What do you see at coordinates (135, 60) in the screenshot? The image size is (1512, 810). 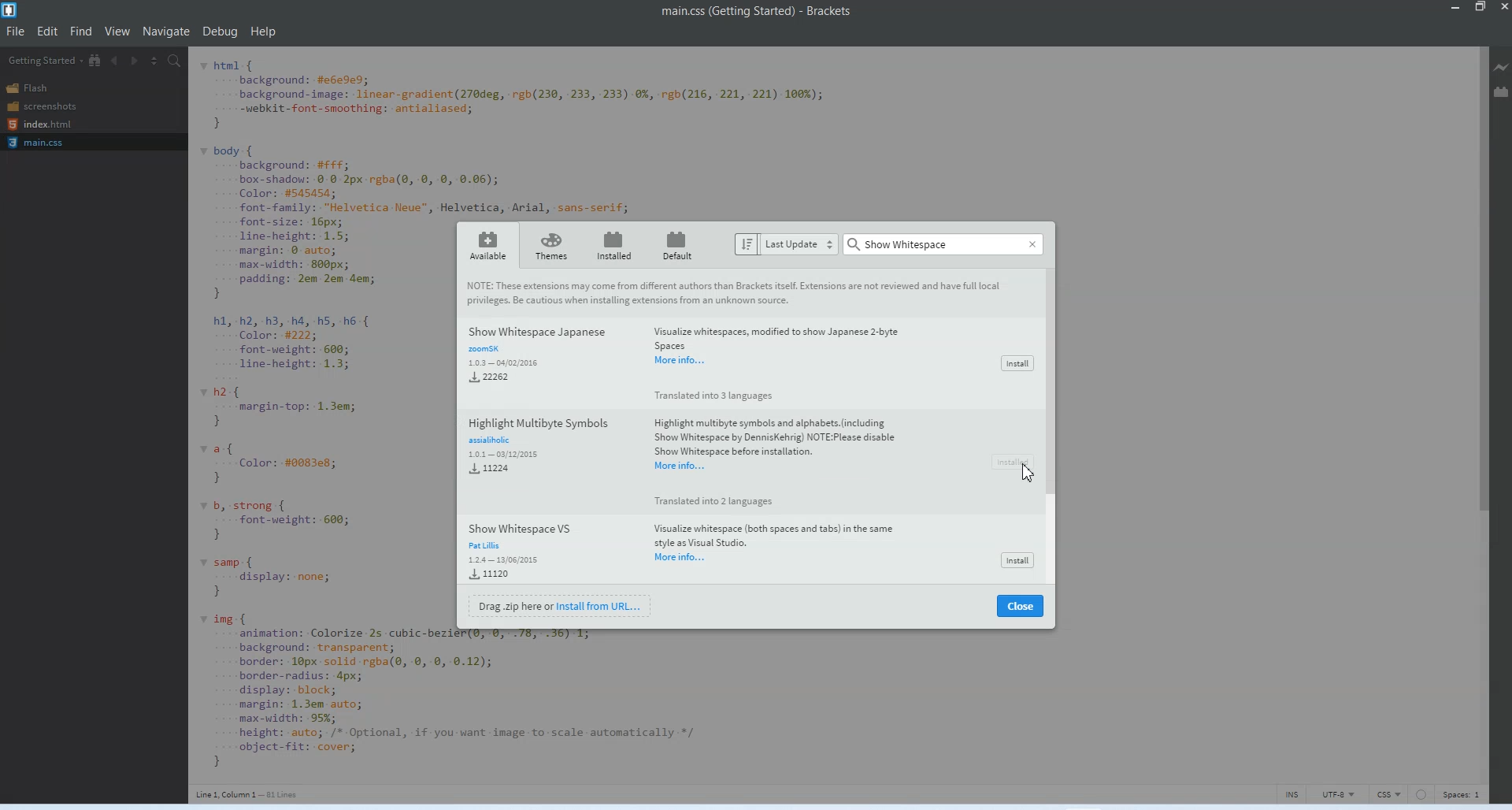 I see `Navigate Forwards ` at bounding box center [135, 60].